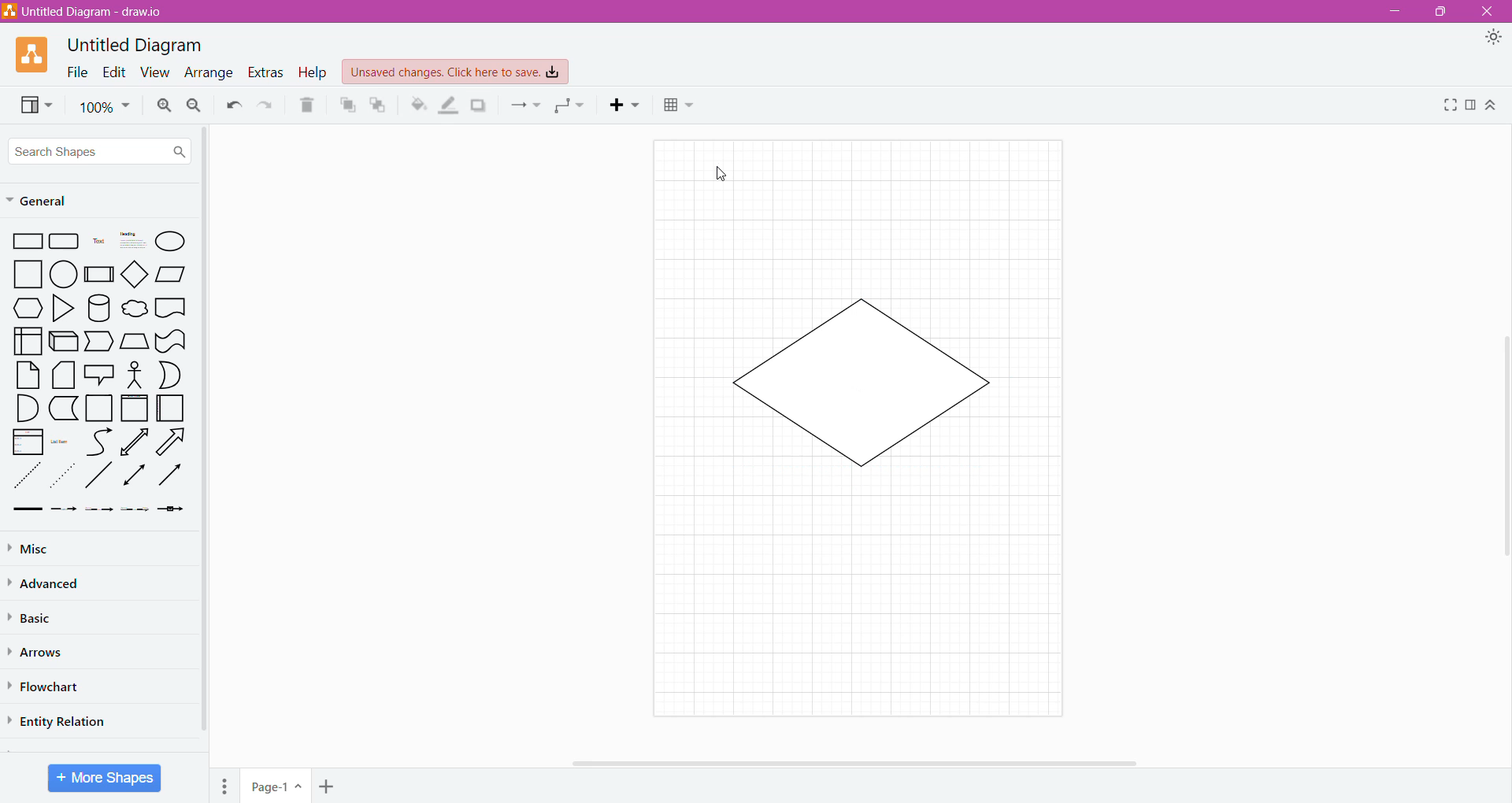 The image size is (1512, 803). I want to click on View, so click(152, 72).